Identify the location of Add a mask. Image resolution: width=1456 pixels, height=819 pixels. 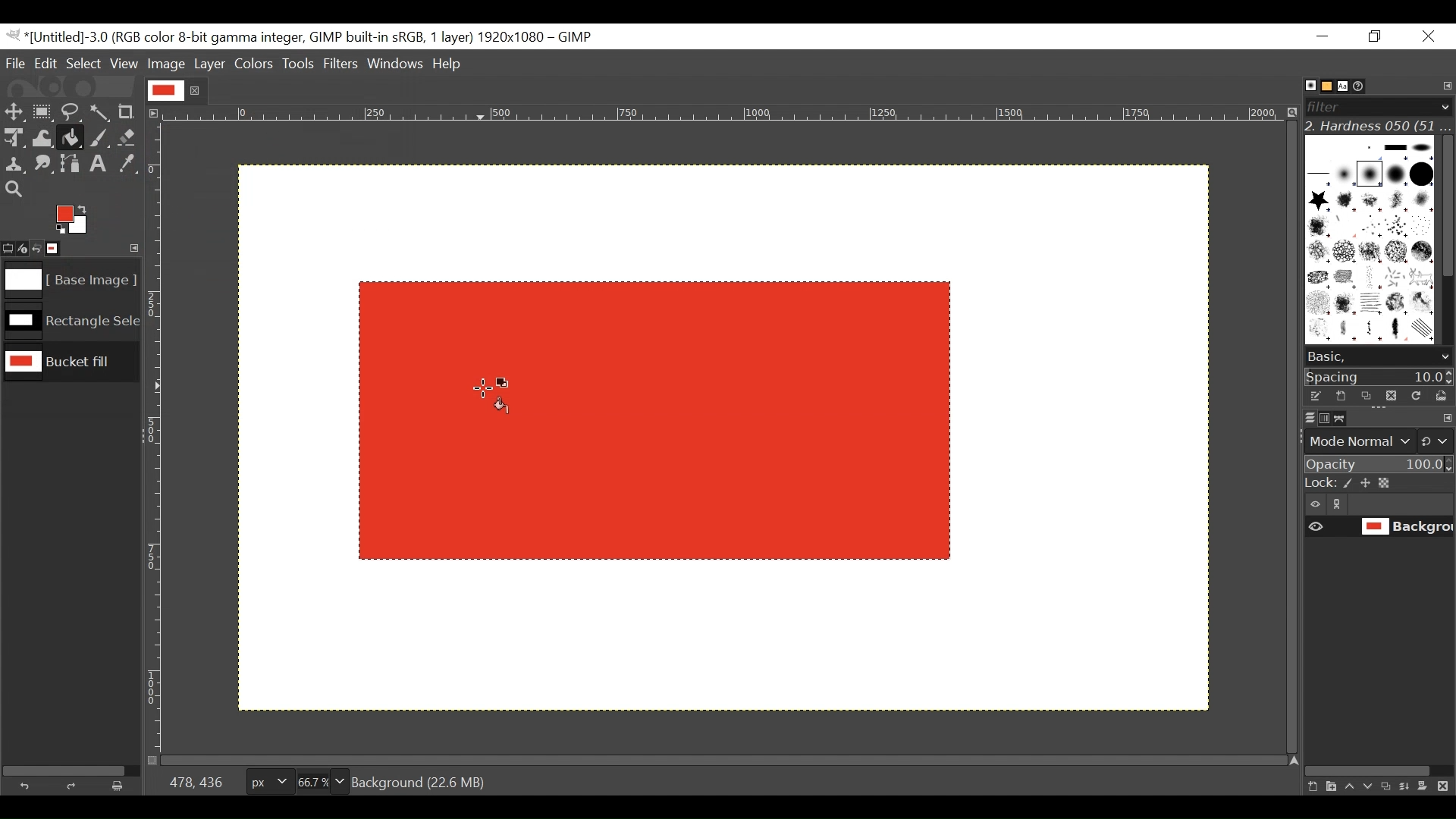
(1427, 789).